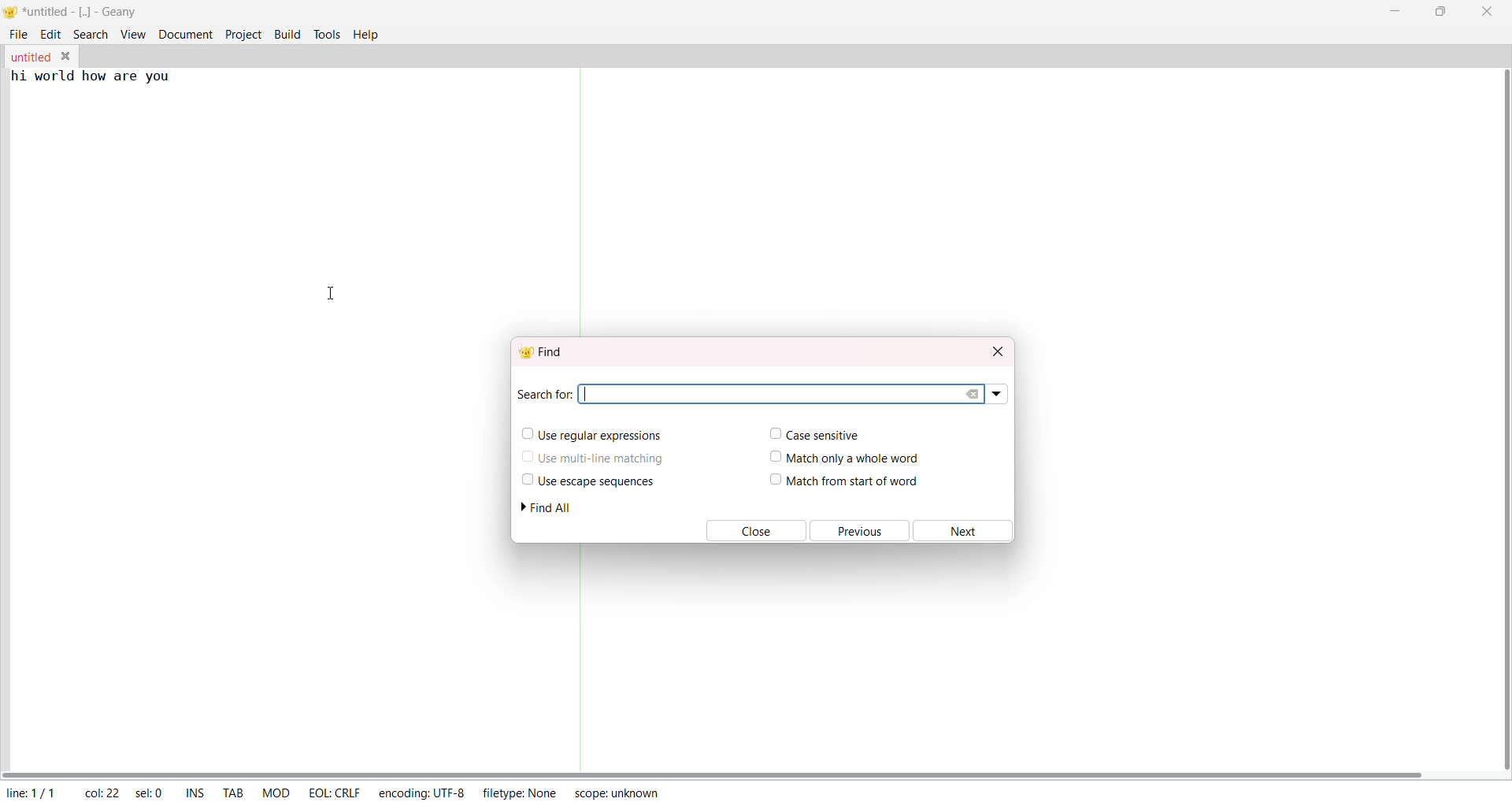  I want to click on tools, so click(327, 34).